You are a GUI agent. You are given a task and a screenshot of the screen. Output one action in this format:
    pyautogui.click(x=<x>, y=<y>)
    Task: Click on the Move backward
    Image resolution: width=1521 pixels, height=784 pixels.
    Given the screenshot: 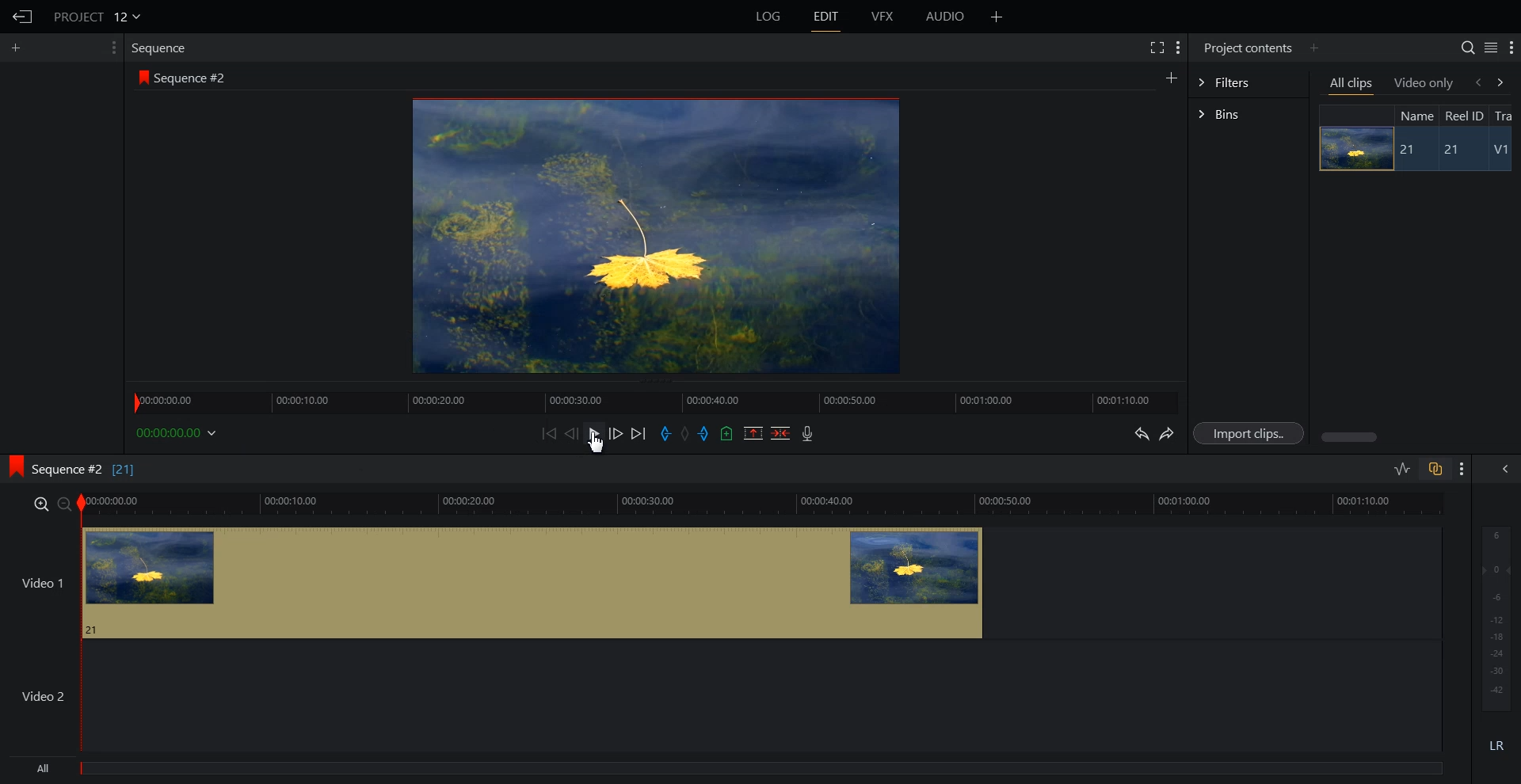 What is the action you would take?
    pyautogui.click(x=551, y=433)
    